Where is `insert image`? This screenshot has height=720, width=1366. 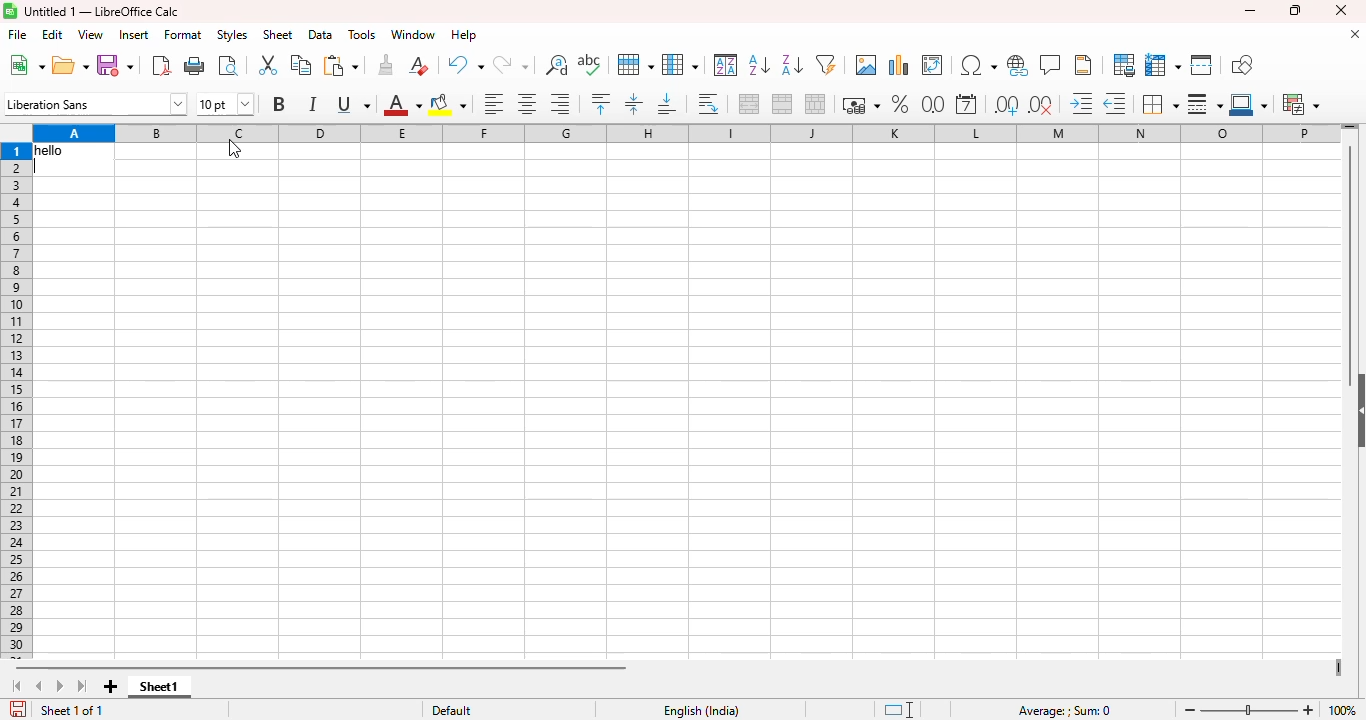
insert image is located at coordinates (899, 65).